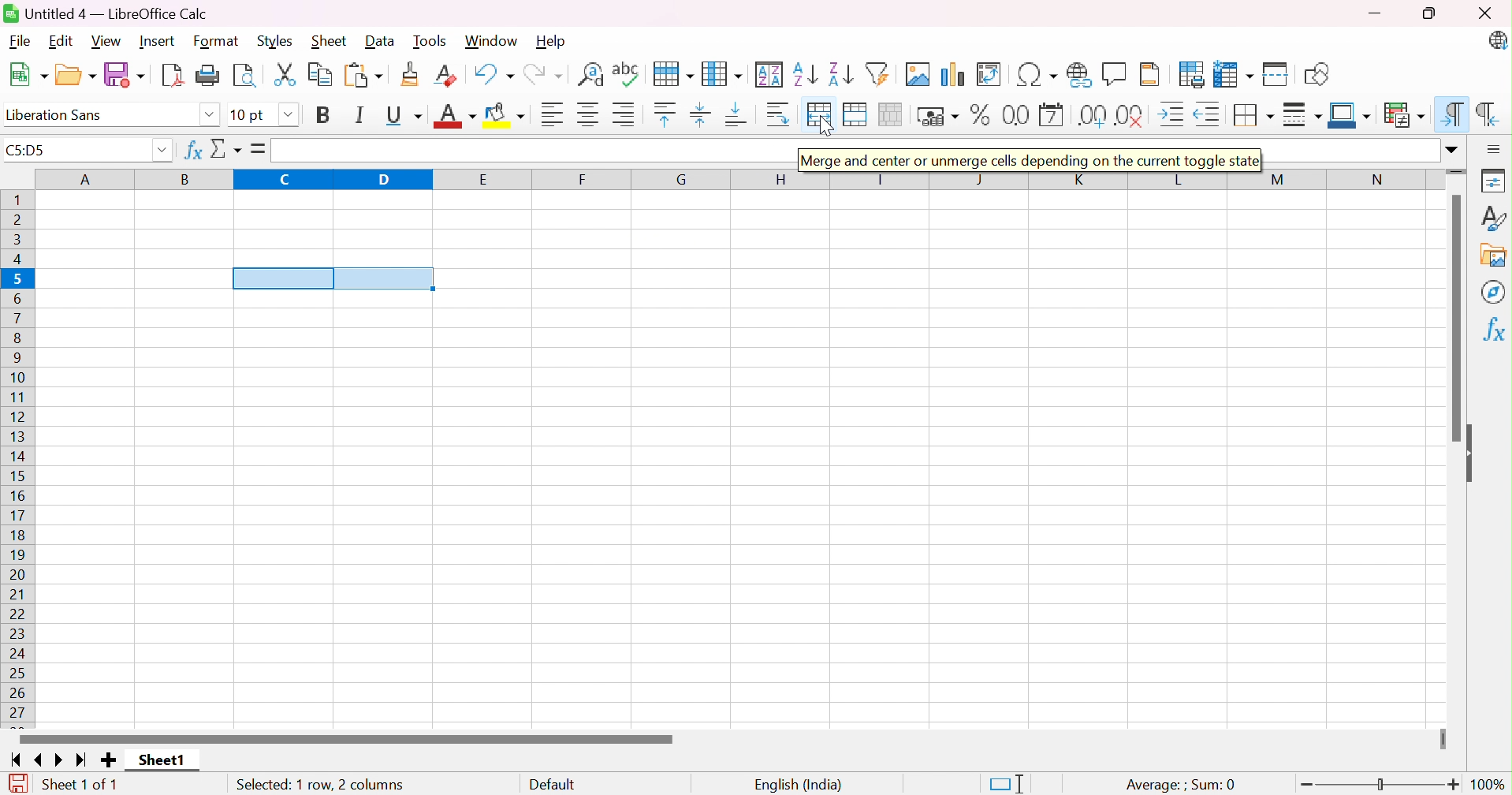  I want to click on Insert Special Characters, so click(1035, 74).